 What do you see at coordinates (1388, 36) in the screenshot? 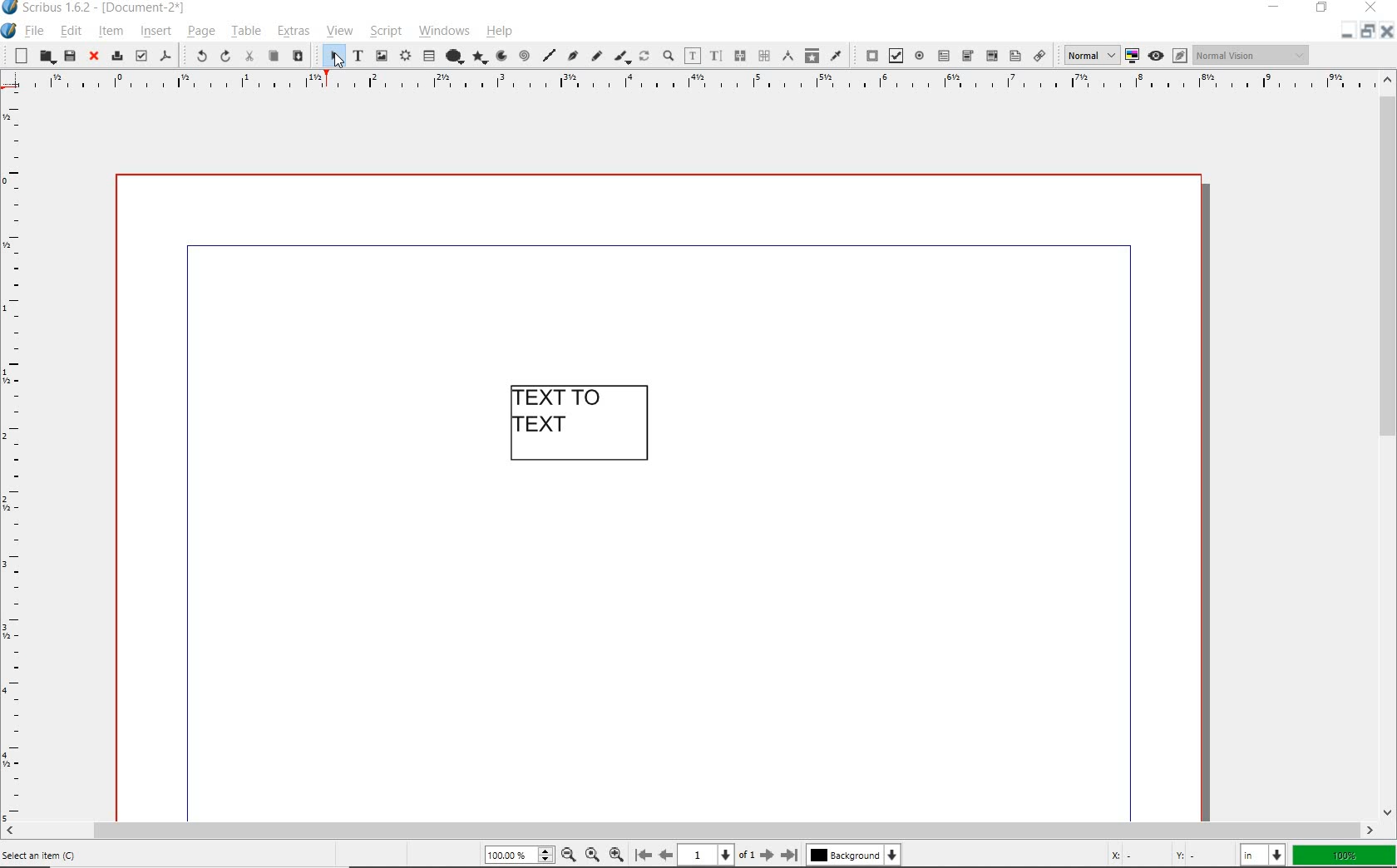
I see `close` at bounding box center [1388, 36].